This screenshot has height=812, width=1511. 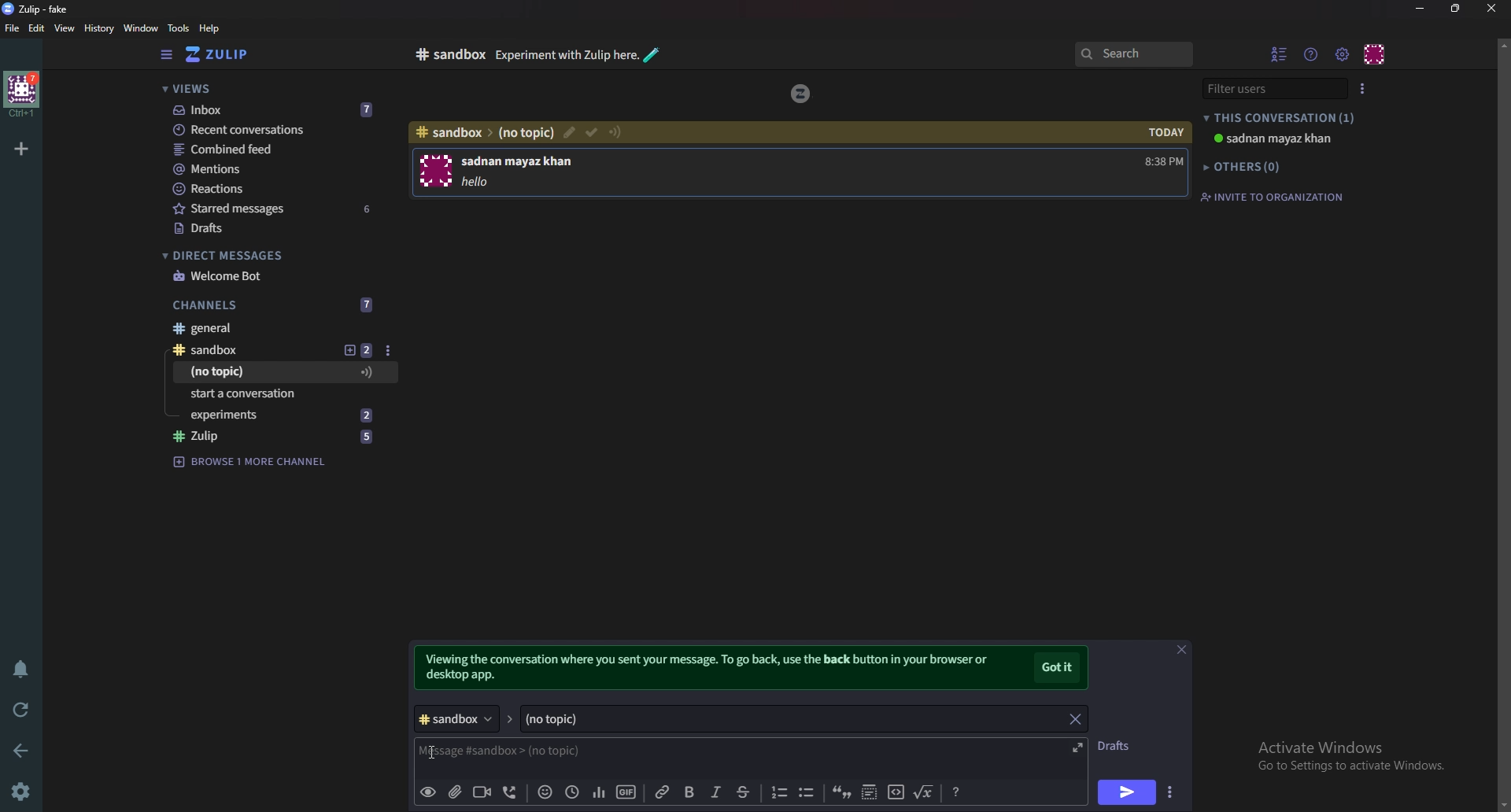 What do you see at coordinates (38, 9) in the screenshot?
I see `zulip-fake` at bounding box center [38, 9].